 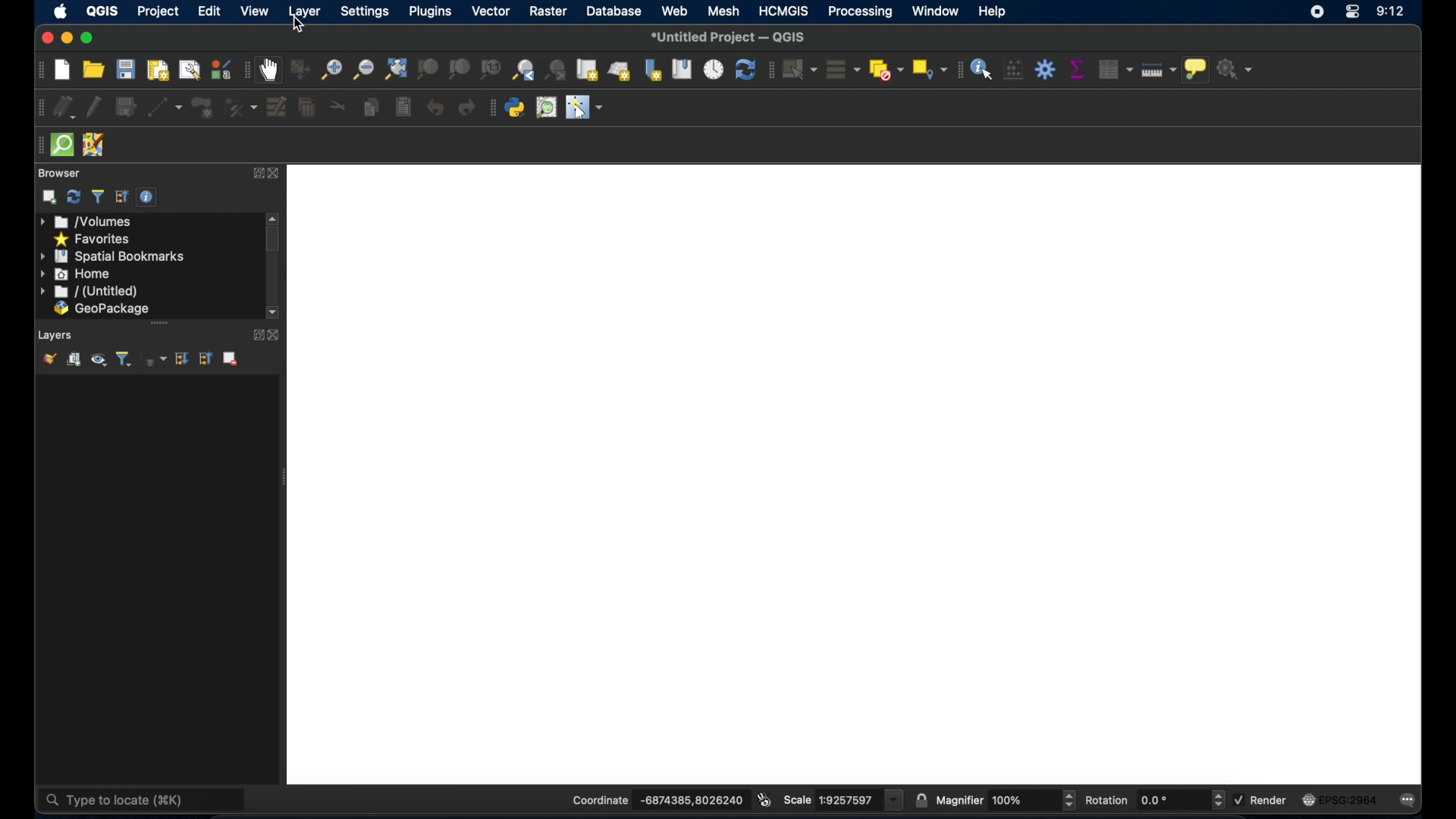 What do you see at coordinates (1013, 70) in the screenshot?
I see `open field calculator` at bounding box center [1013, 70].